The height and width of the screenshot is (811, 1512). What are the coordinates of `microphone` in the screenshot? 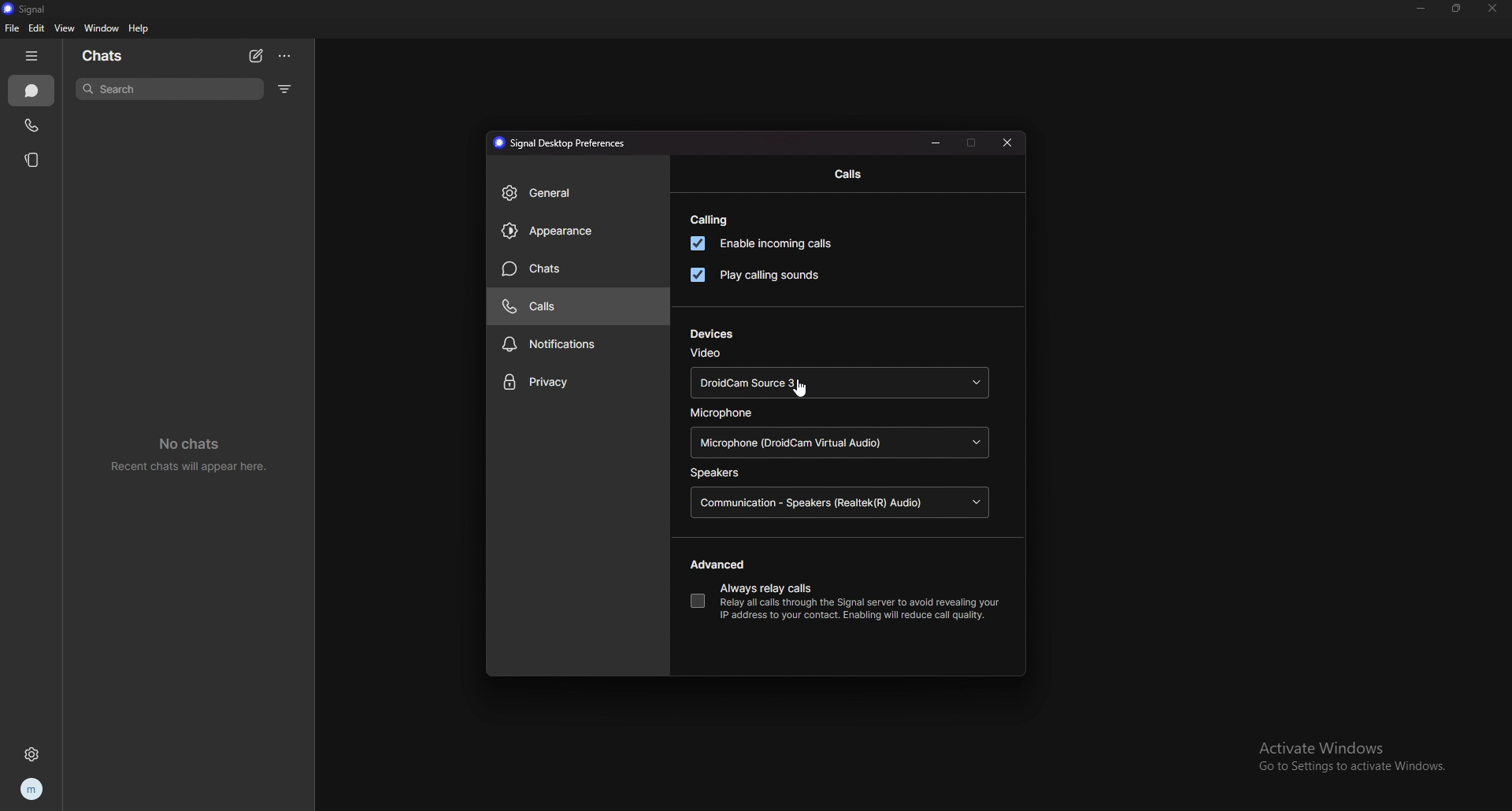 It's located at (726, 413).